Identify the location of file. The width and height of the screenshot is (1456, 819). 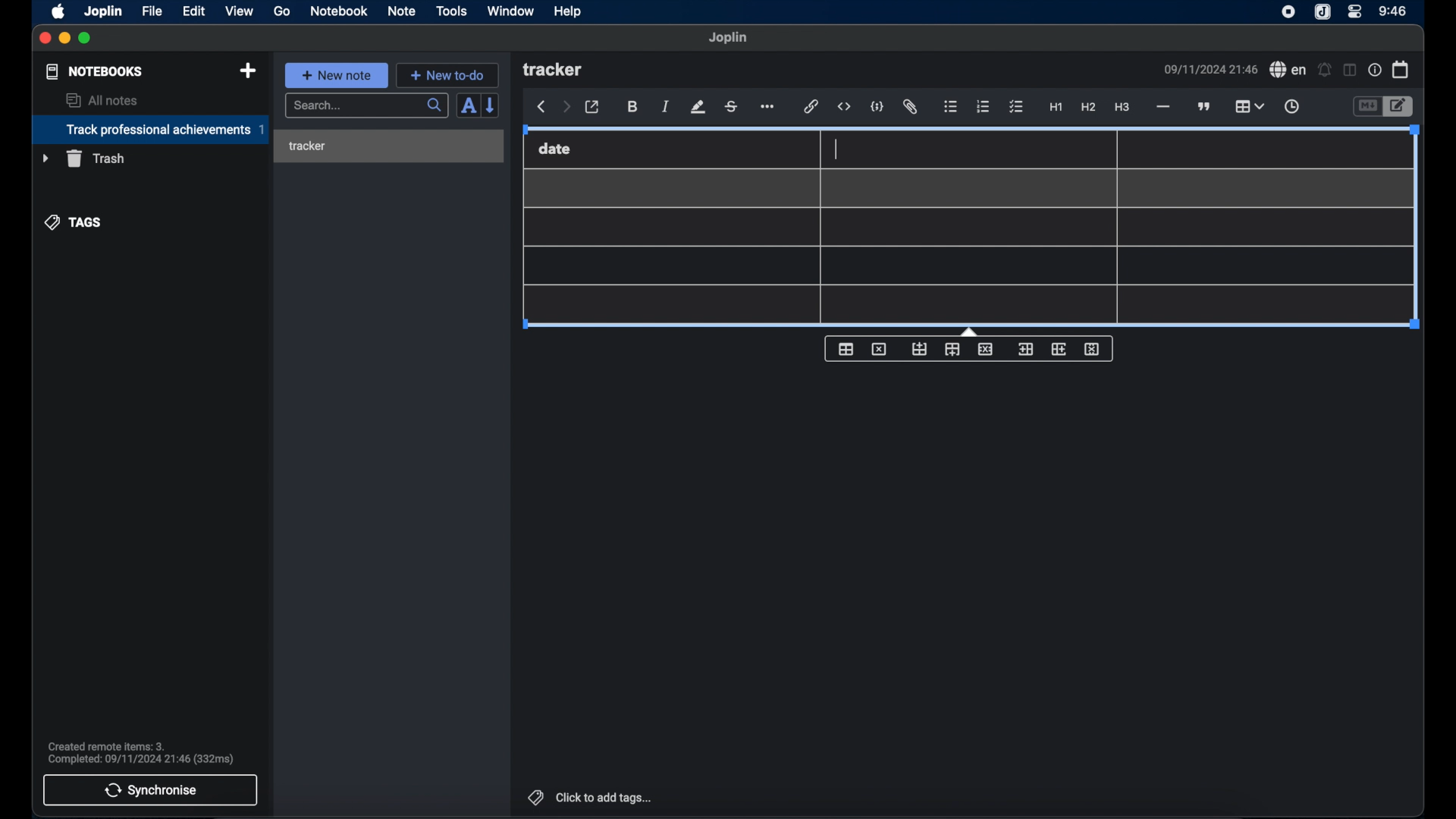
(152, 11).